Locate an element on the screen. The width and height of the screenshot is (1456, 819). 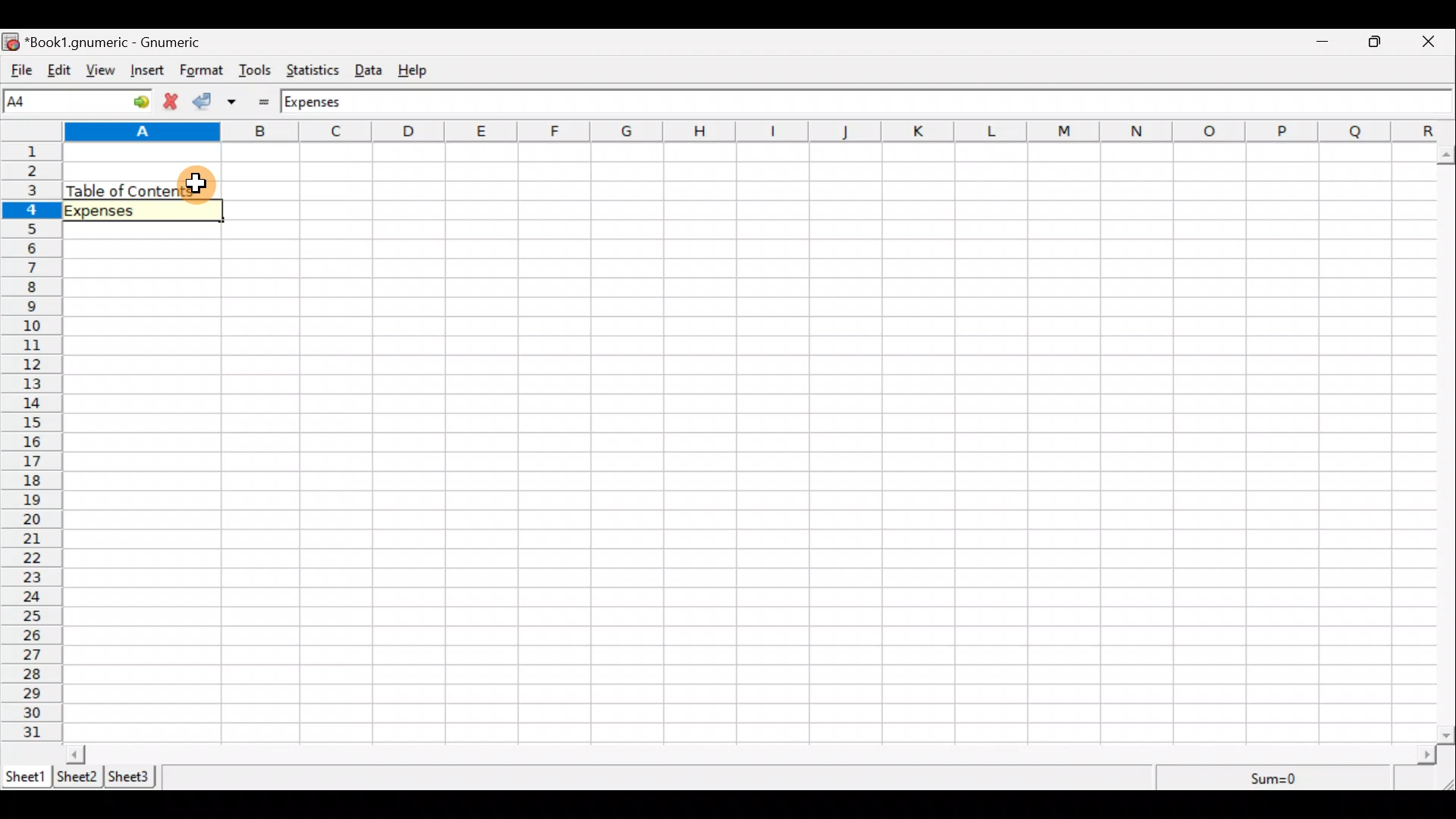
Scroll bar is located at coordinates (1447, 441).